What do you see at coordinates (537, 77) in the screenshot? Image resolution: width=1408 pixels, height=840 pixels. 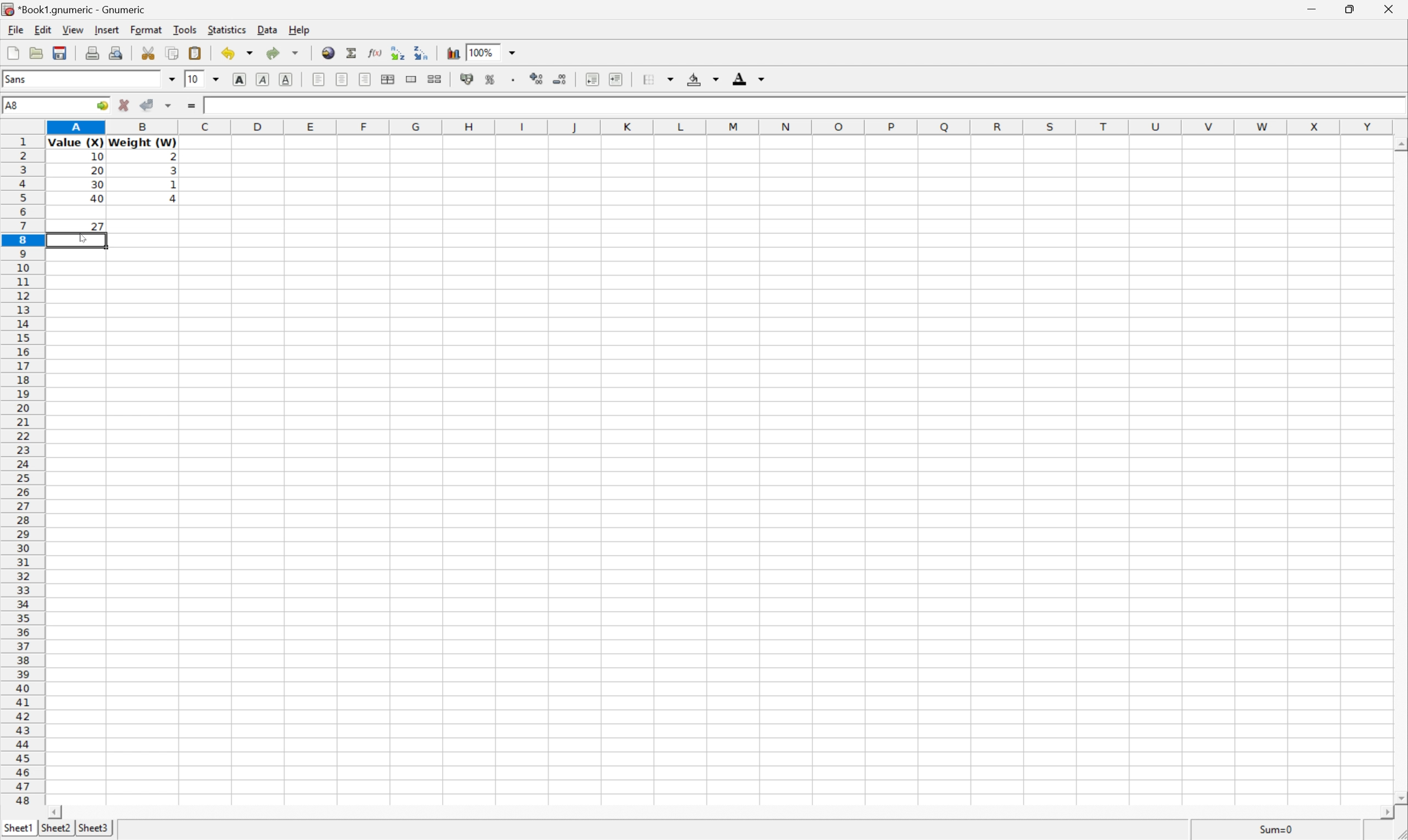 I see `Increase the number of decimals displayed` at bounding box center [537, 77].